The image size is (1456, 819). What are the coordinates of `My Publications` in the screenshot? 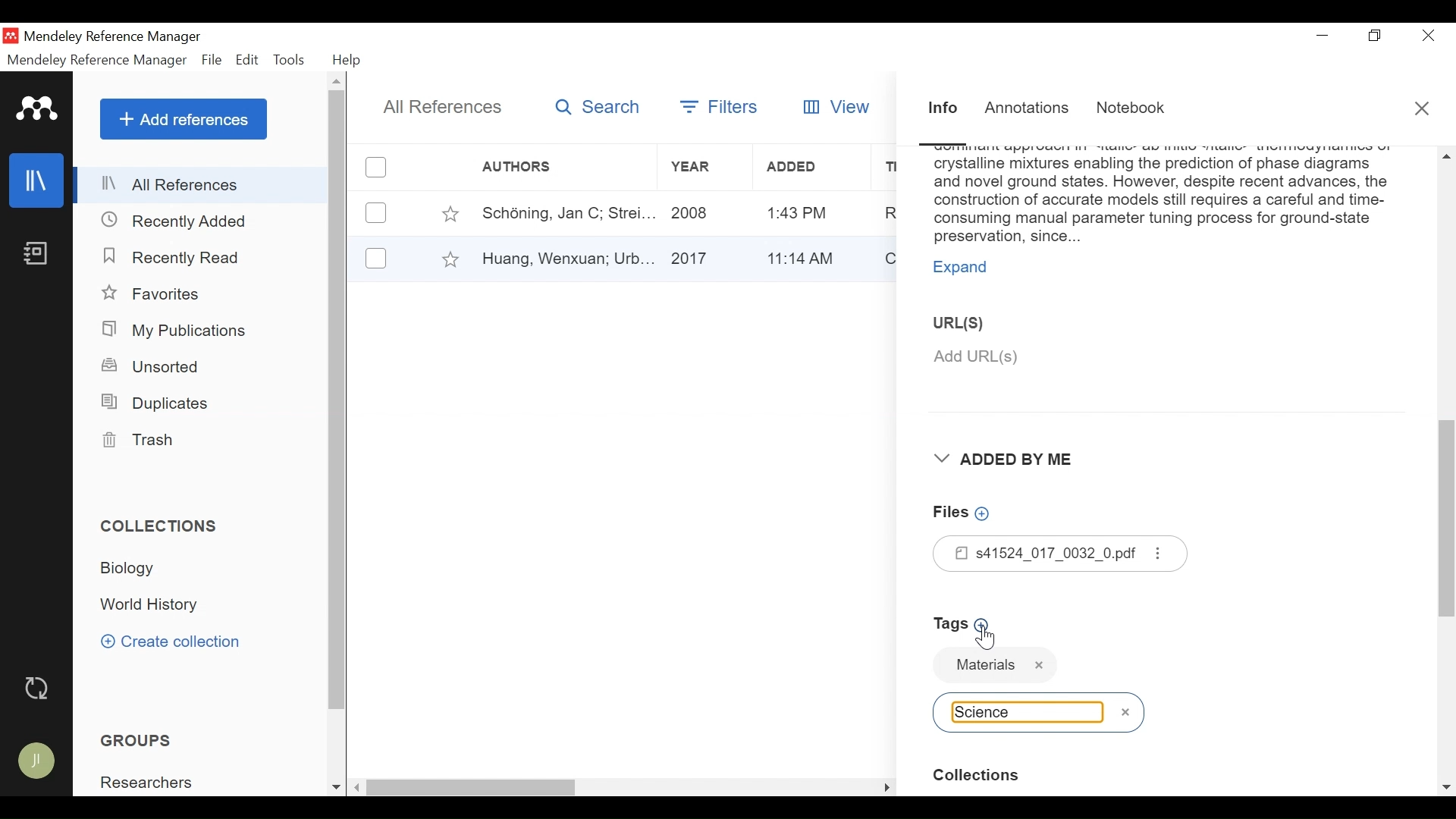 It's located at (176, 331).